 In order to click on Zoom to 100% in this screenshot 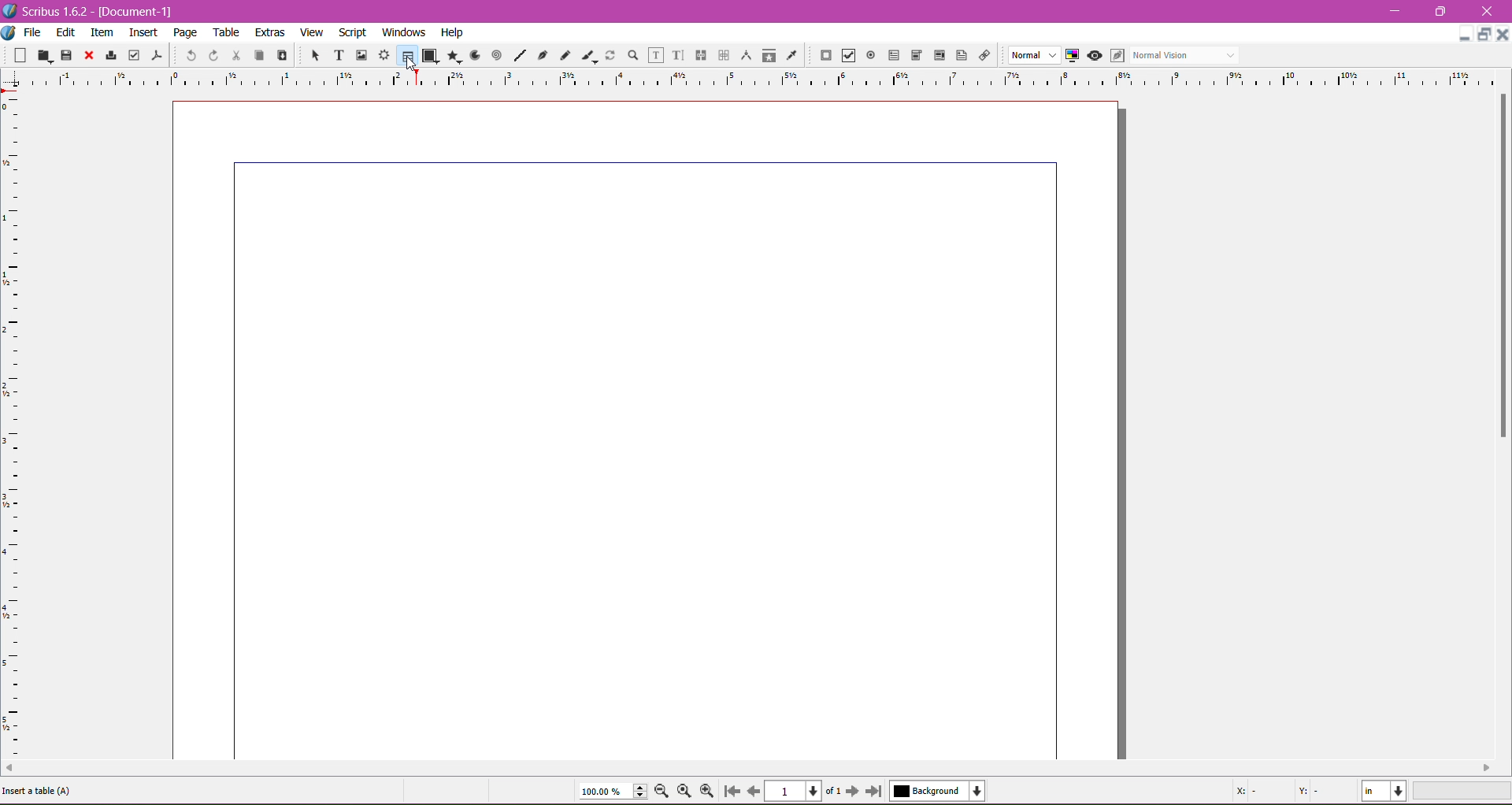, I will do `click(686, 792)`.